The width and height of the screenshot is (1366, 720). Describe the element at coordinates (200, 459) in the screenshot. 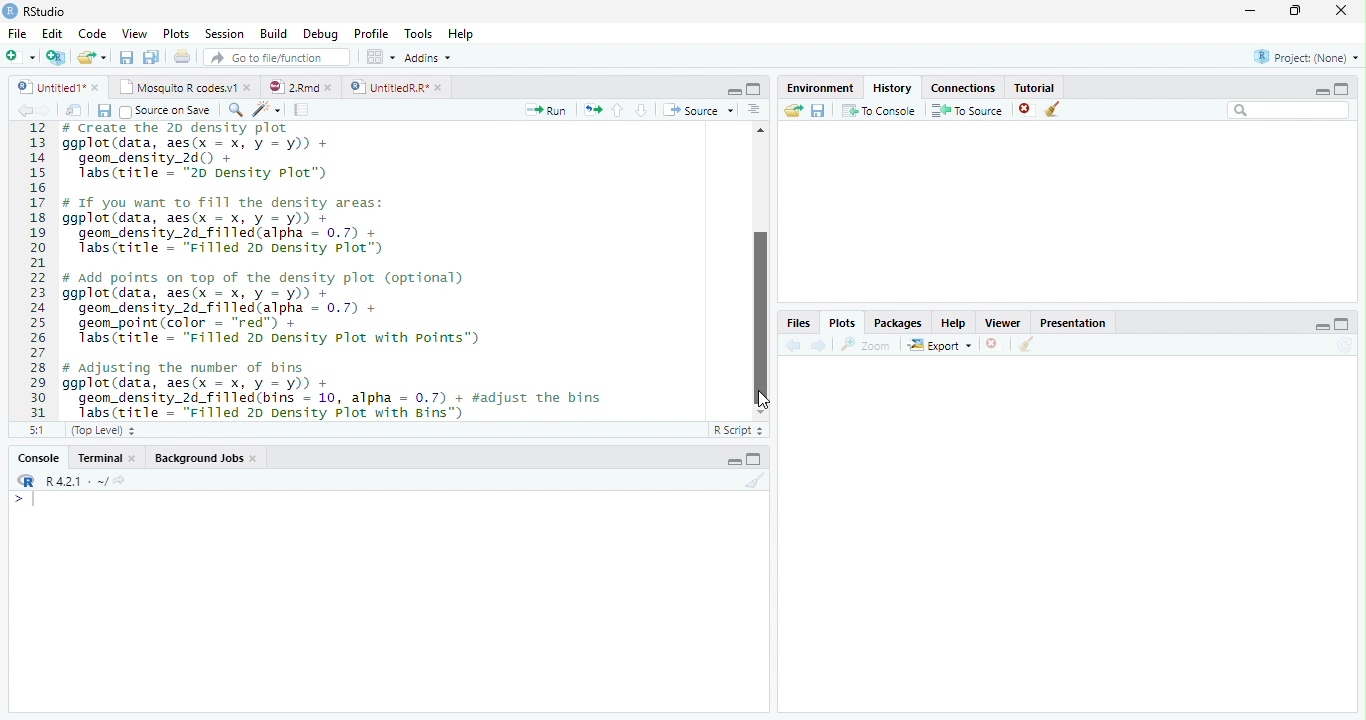

I see `Background Jobs` at that location.